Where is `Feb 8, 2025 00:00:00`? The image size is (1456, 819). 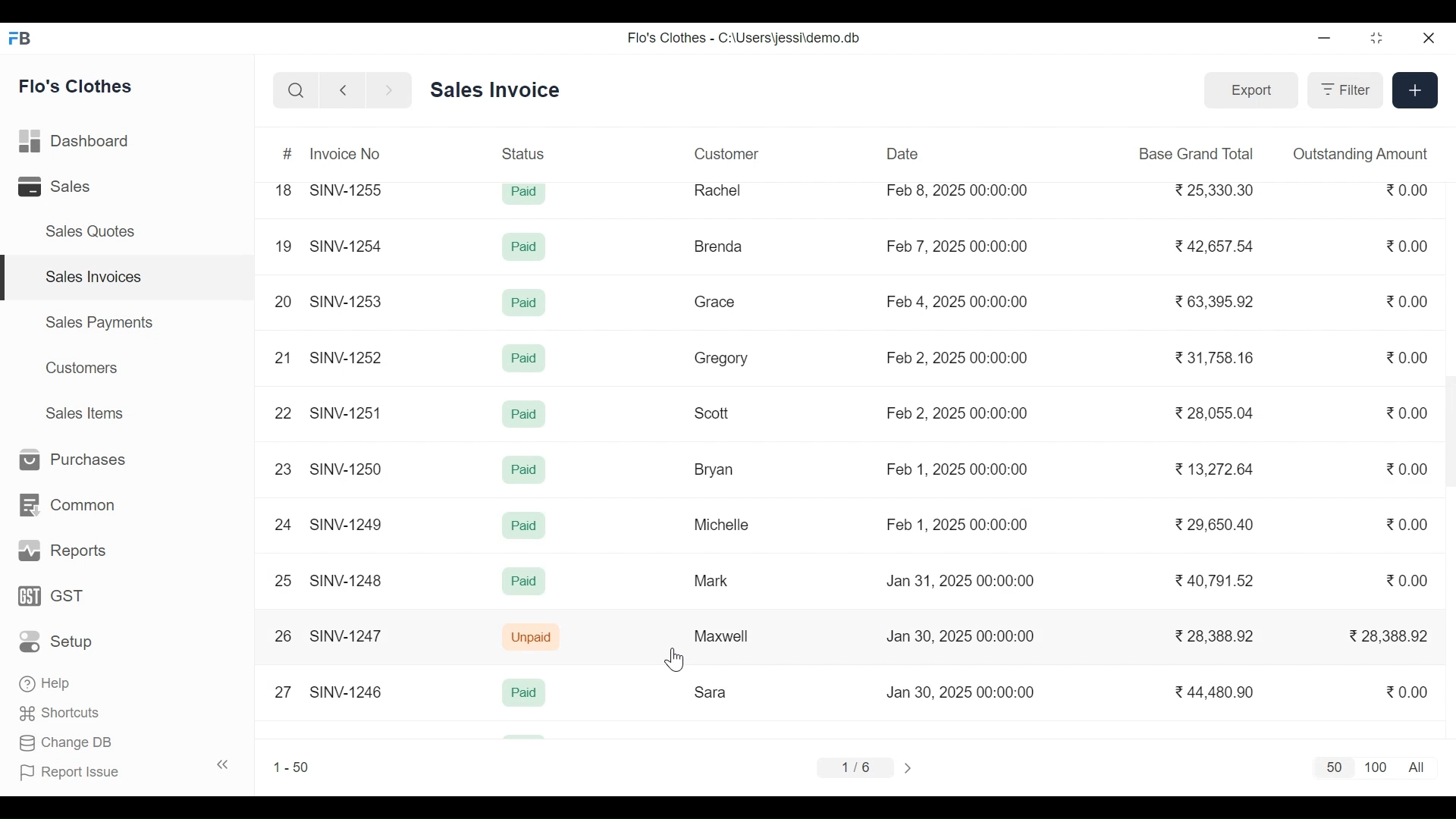 Feb 8, 2025 00:00:00 is located at coordinates (957, 190).